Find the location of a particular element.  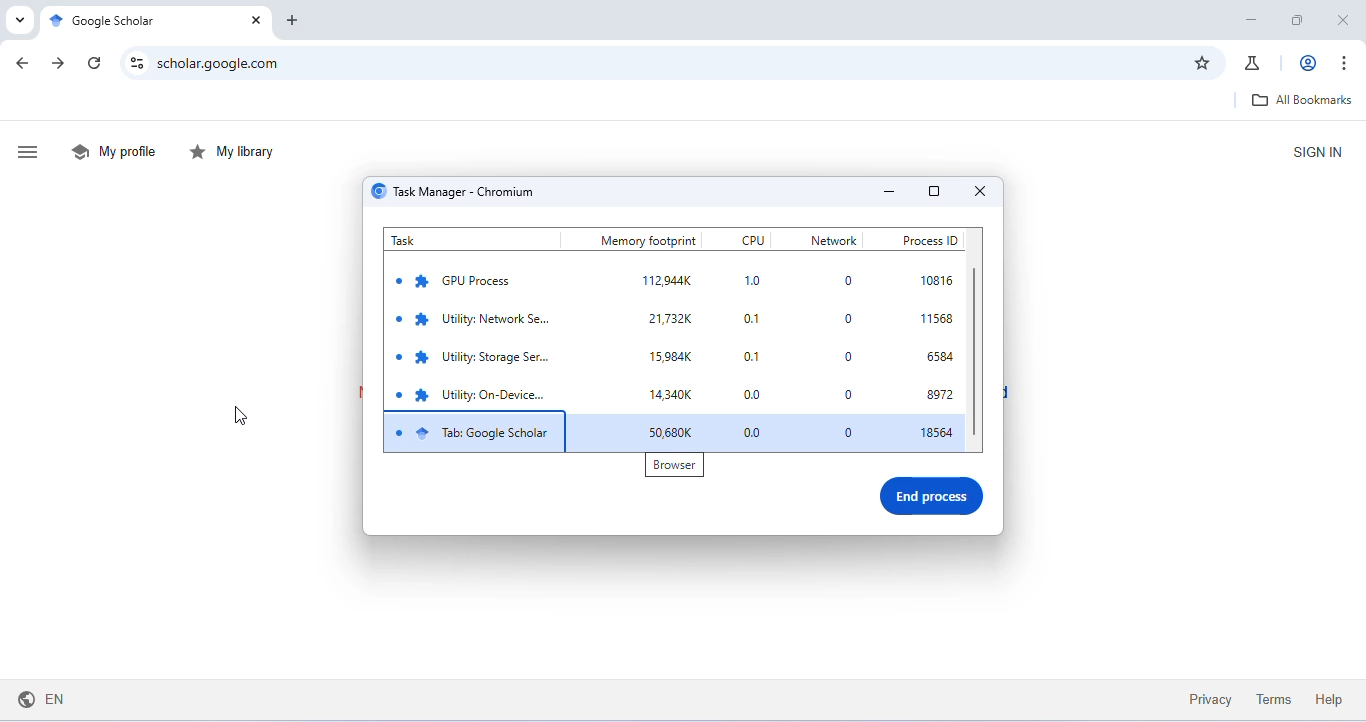

all bookmarks is located at coordinates (1300, 99).